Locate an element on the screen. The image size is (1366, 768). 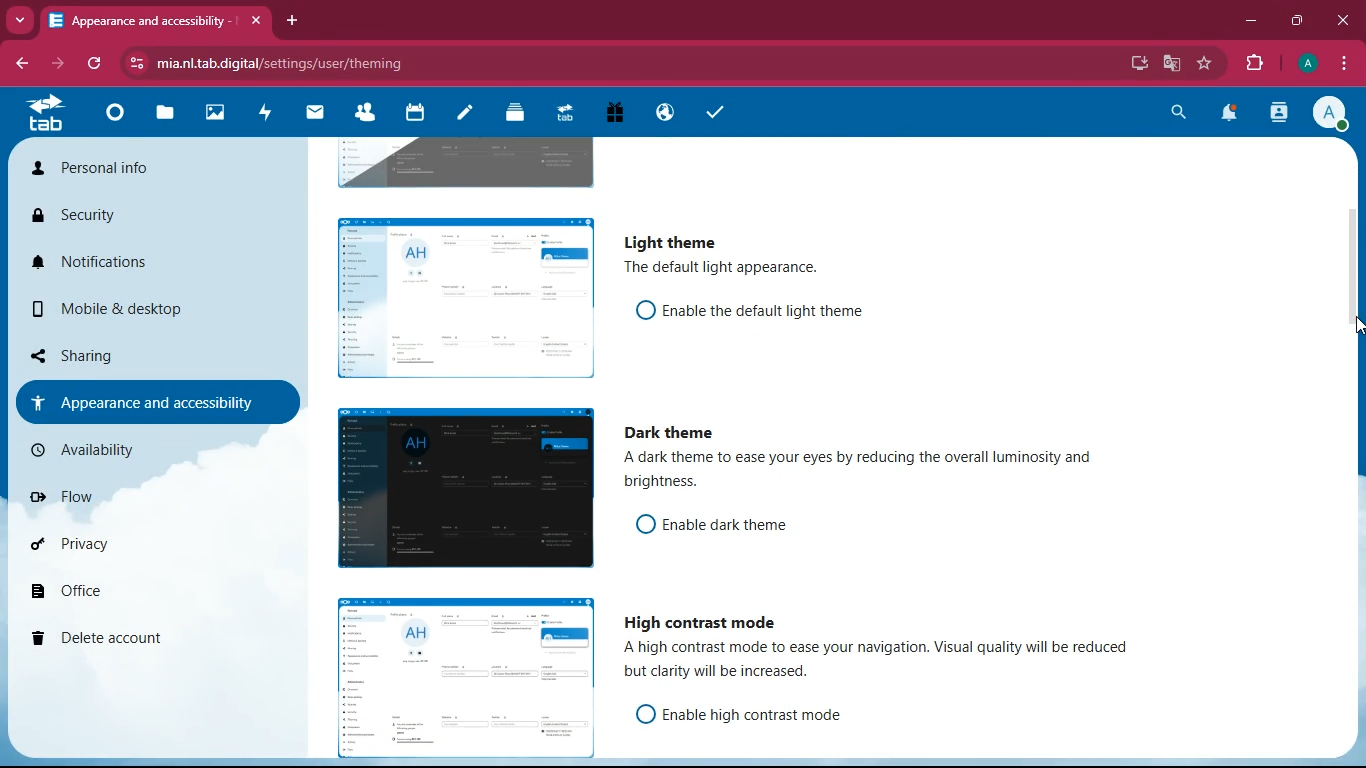
security is located at coordinates (100, 217).